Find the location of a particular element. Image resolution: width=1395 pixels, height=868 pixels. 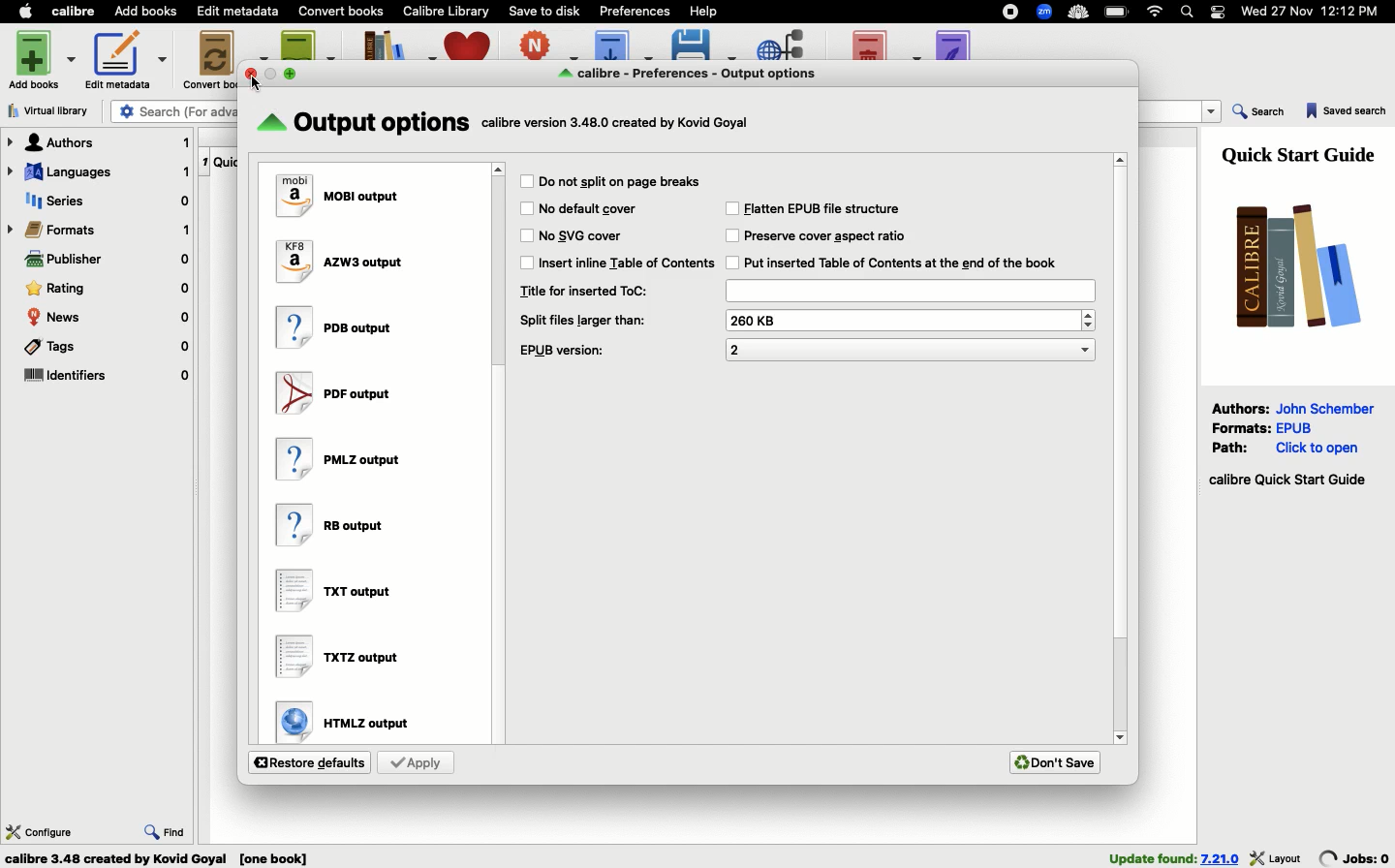

Find is located at coordinates (166, 829).